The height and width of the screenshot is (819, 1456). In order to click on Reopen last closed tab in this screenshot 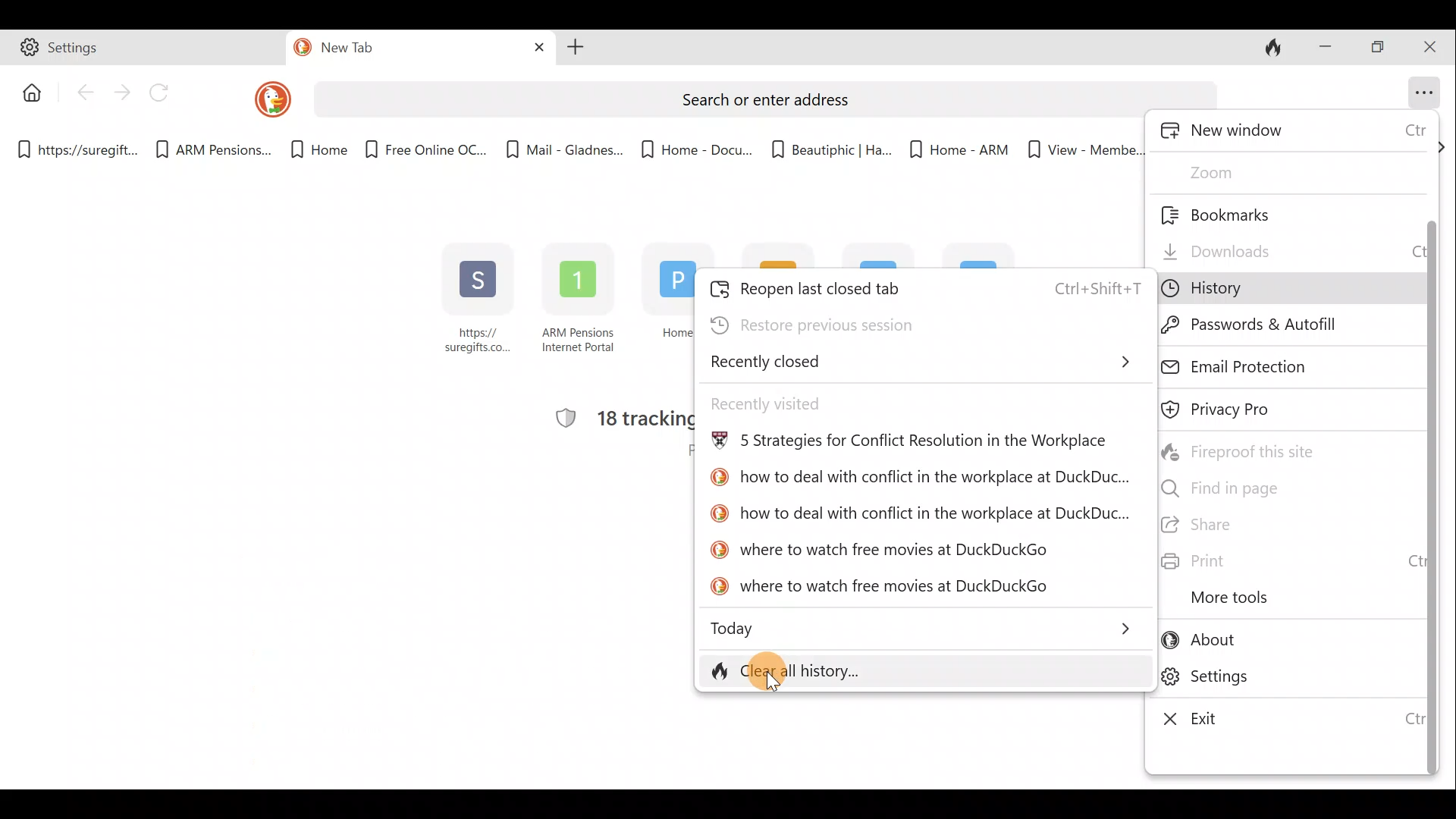, I will do `click(924, 285)`.